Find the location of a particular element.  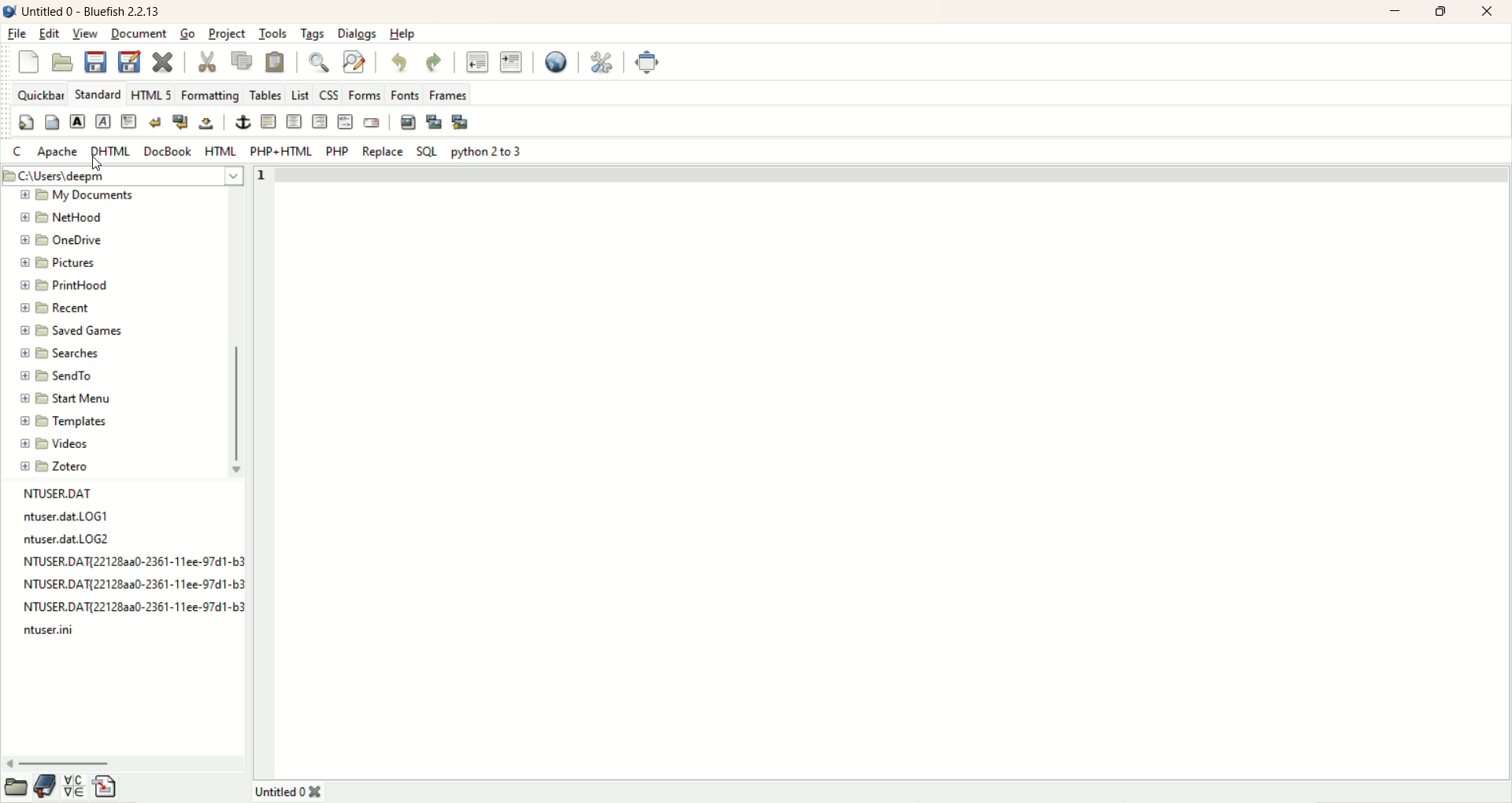

emphasize is located at coordinates (106, 122).